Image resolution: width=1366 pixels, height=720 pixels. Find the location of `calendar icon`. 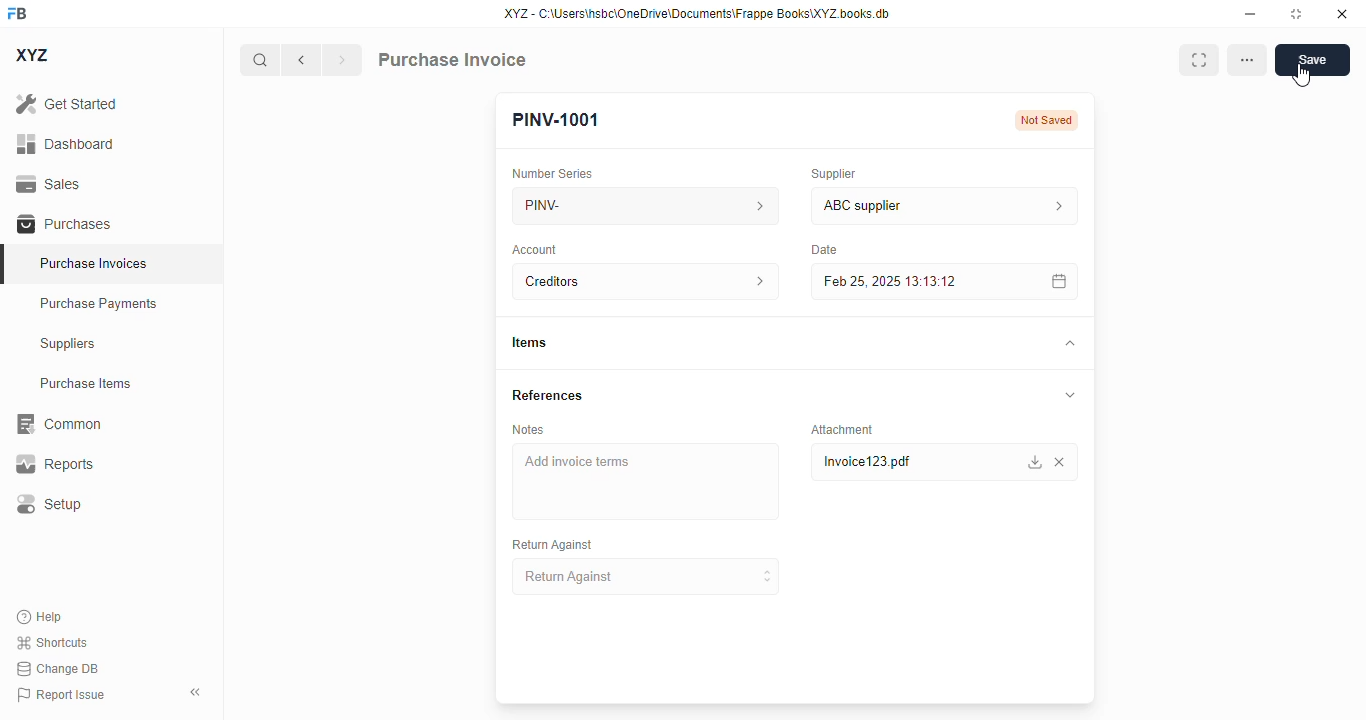

calendar icon is located at coordinates (1055, 281).